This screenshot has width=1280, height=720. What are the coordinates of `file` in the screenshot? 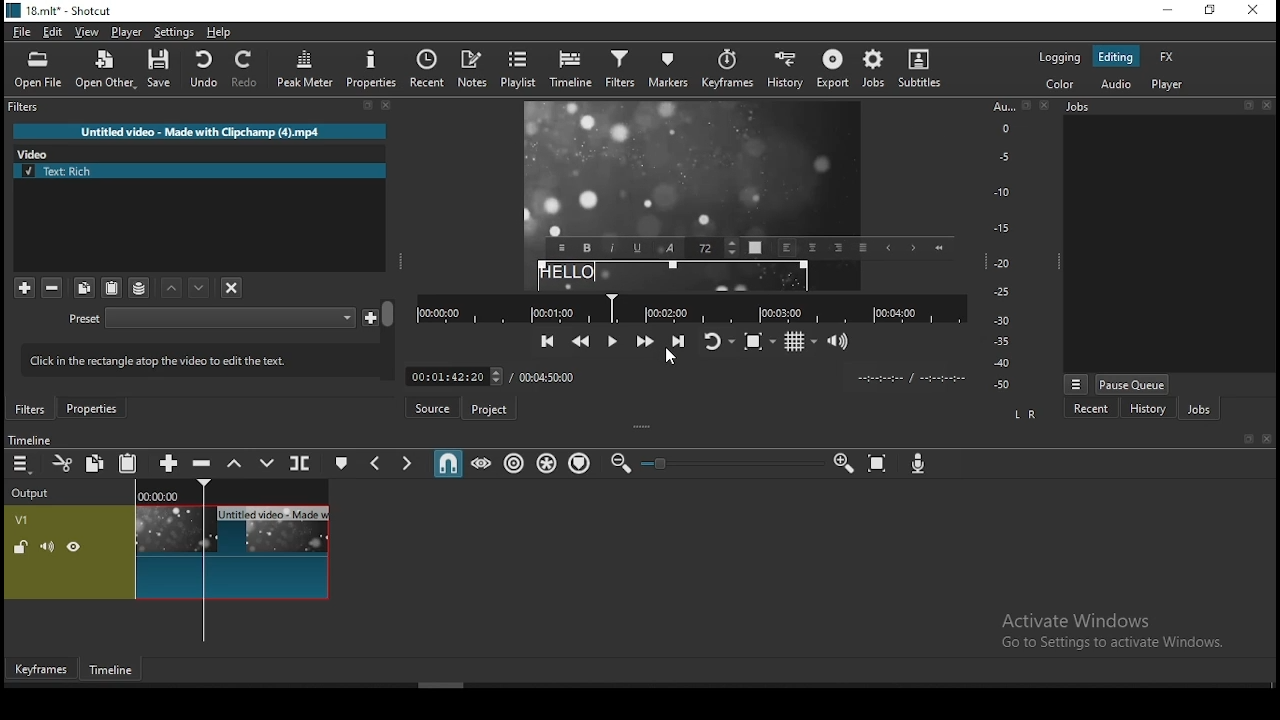 It's located at (22, 33).